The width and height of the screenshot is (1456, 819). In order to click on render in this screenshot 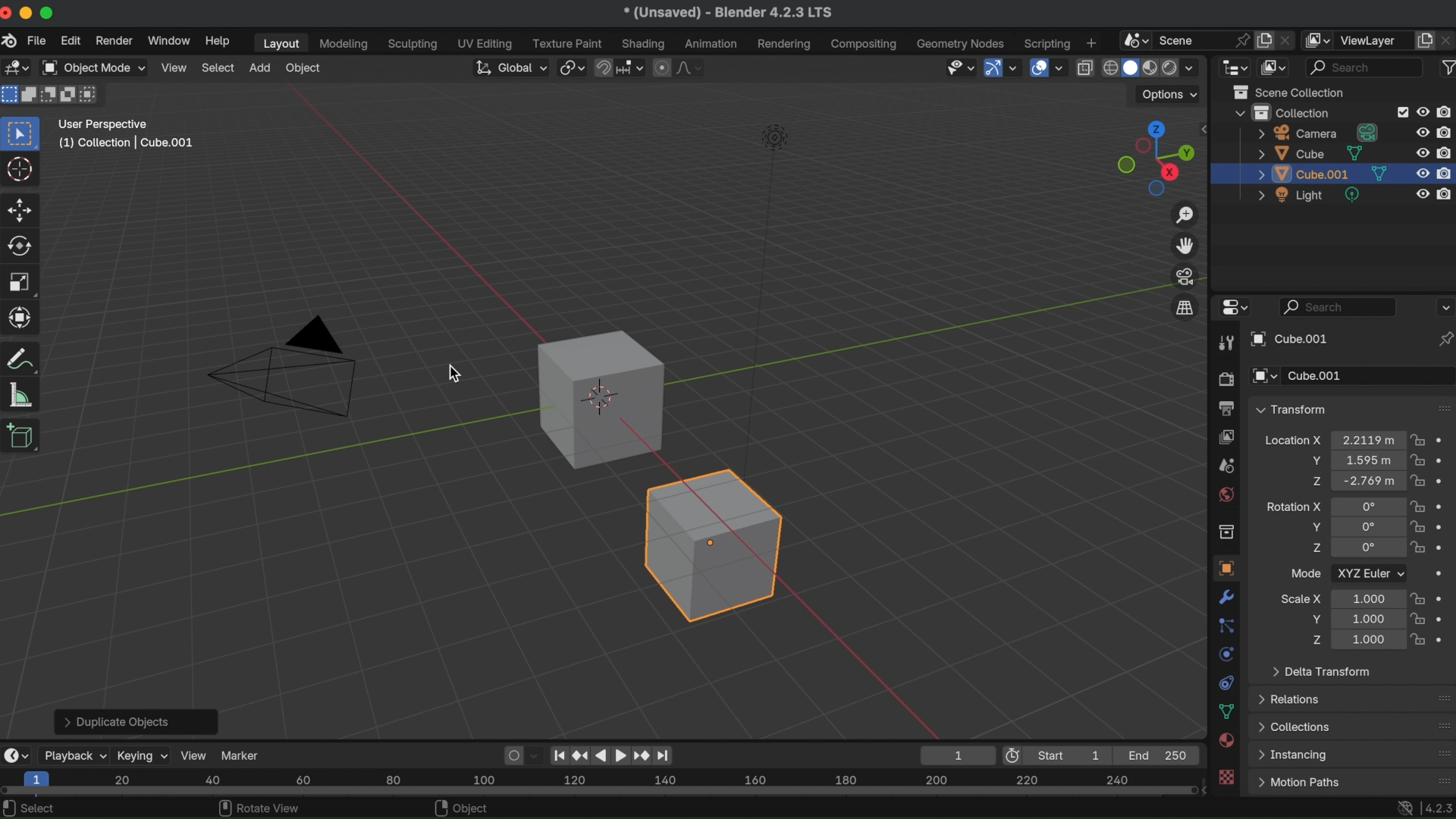, I will do `click(1225, 380)`.